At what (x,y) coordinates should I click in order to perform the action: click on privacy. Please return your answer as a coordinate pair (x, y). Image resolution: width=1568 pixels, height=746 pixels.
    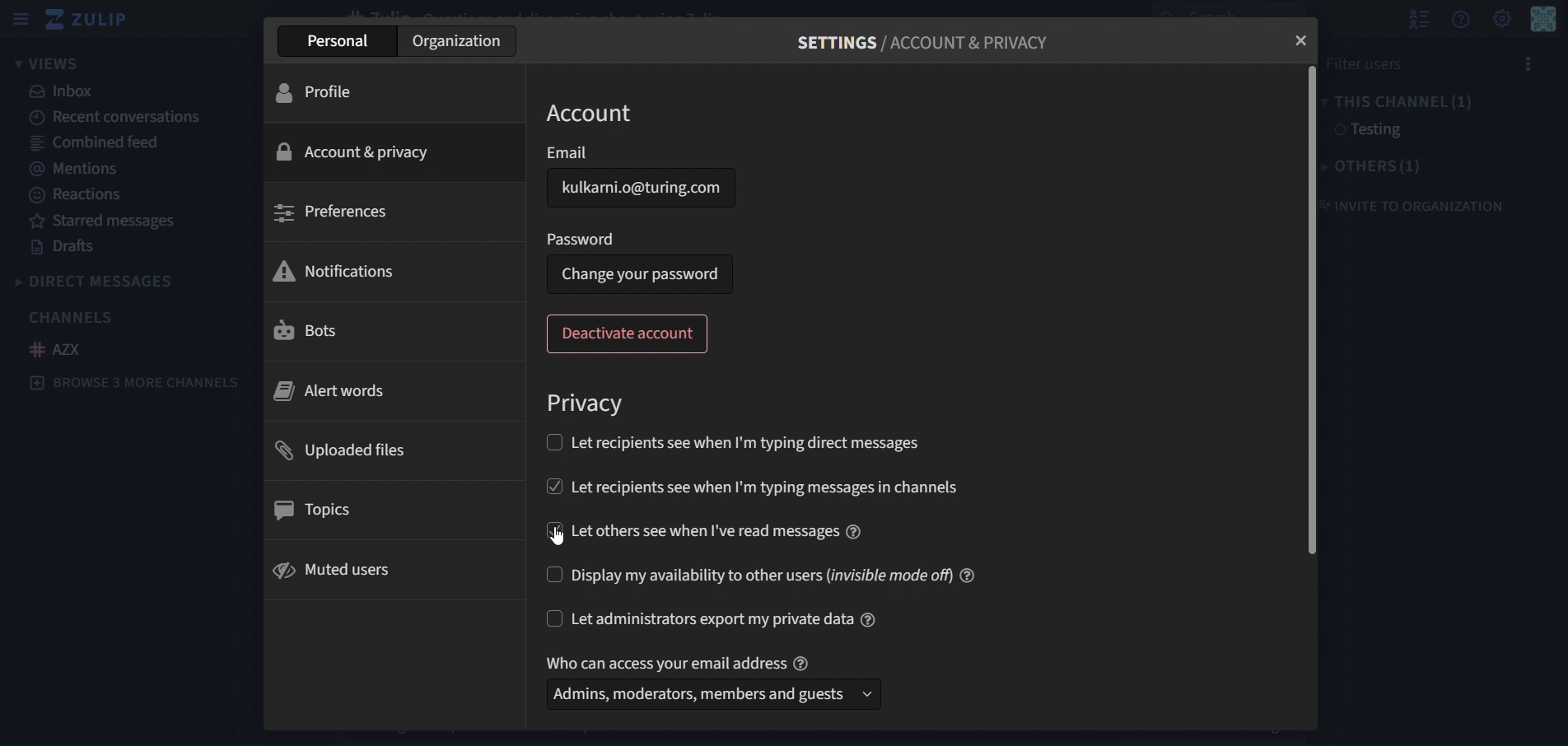
    Looking at the image, I should click on (588, 405).